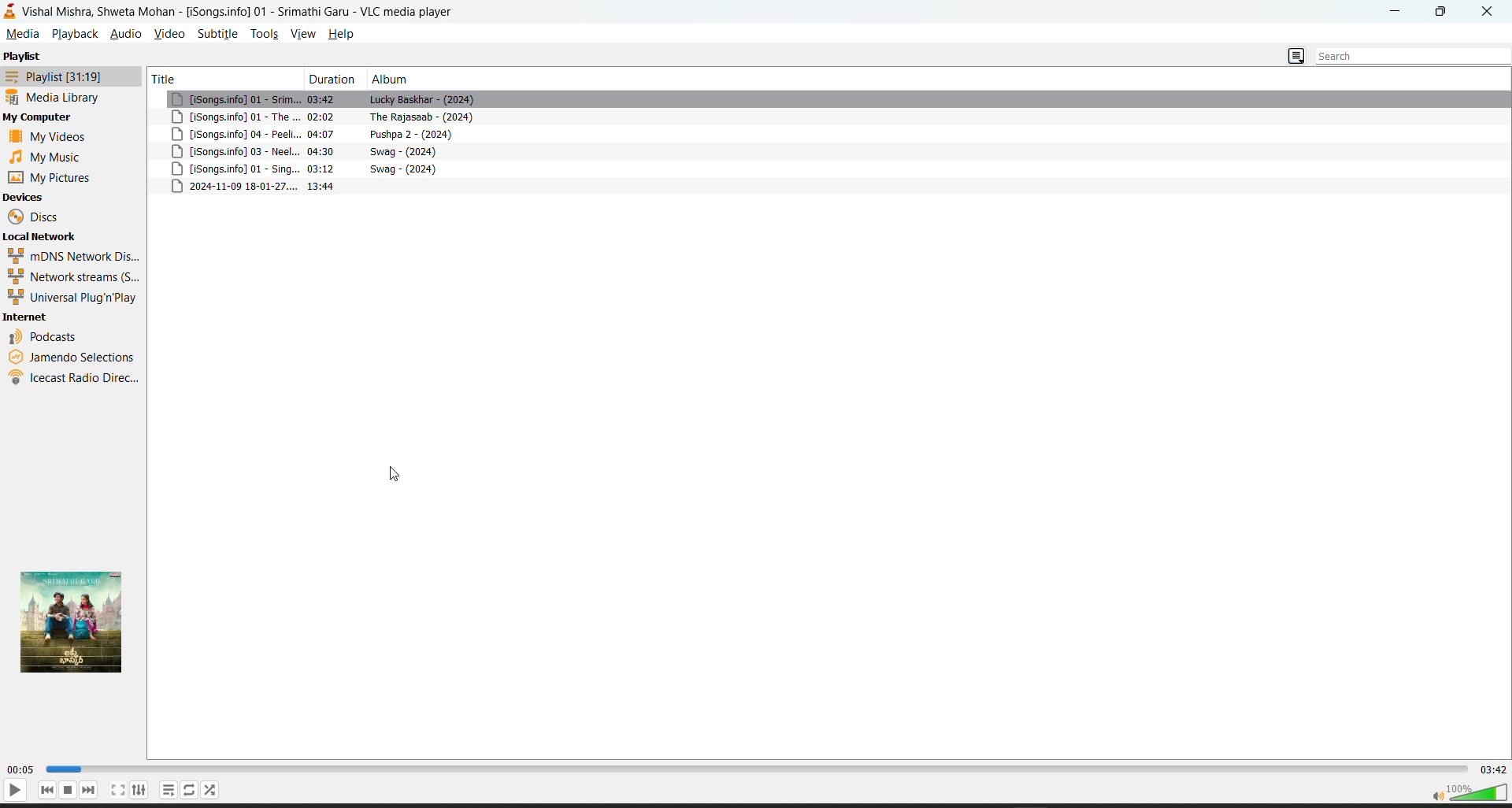 The height and width of the screenshot is (808, 1512). Describe the element at coordinates (232, 117) in the screenshot. I see `songs.info 01-the` at that location.